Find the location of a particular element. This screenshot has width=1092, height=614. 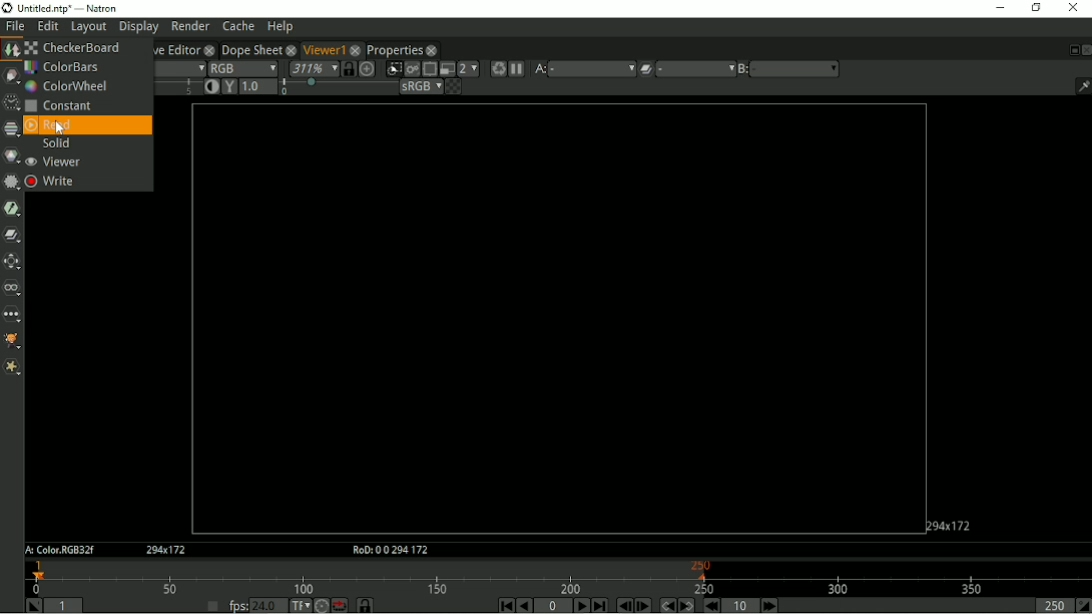

Next Increment is located at coordinates (769, 605).